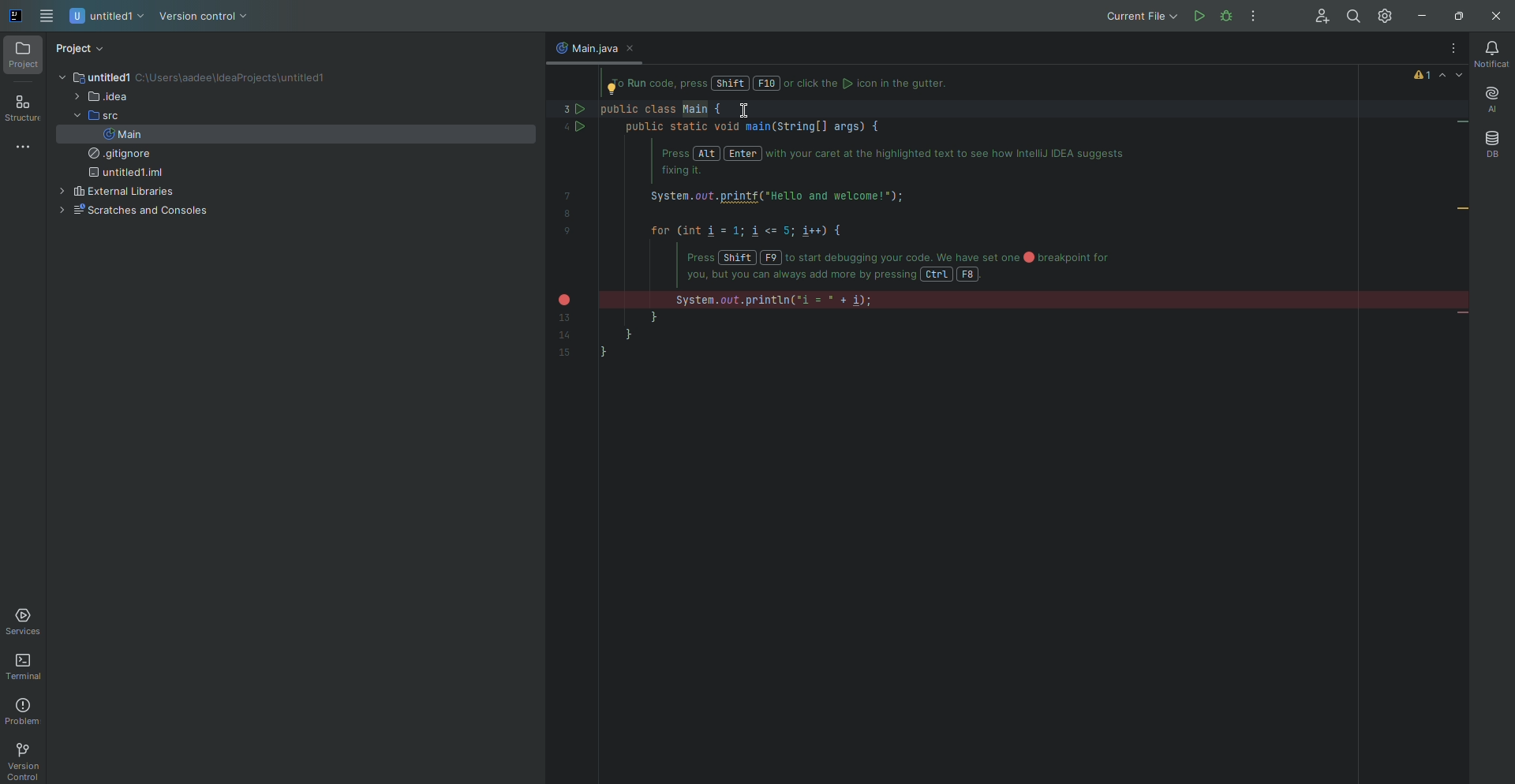 Image resolution: width=1515 pixels, height=784 pixels. I want to click on Options, so click(1449, 49).